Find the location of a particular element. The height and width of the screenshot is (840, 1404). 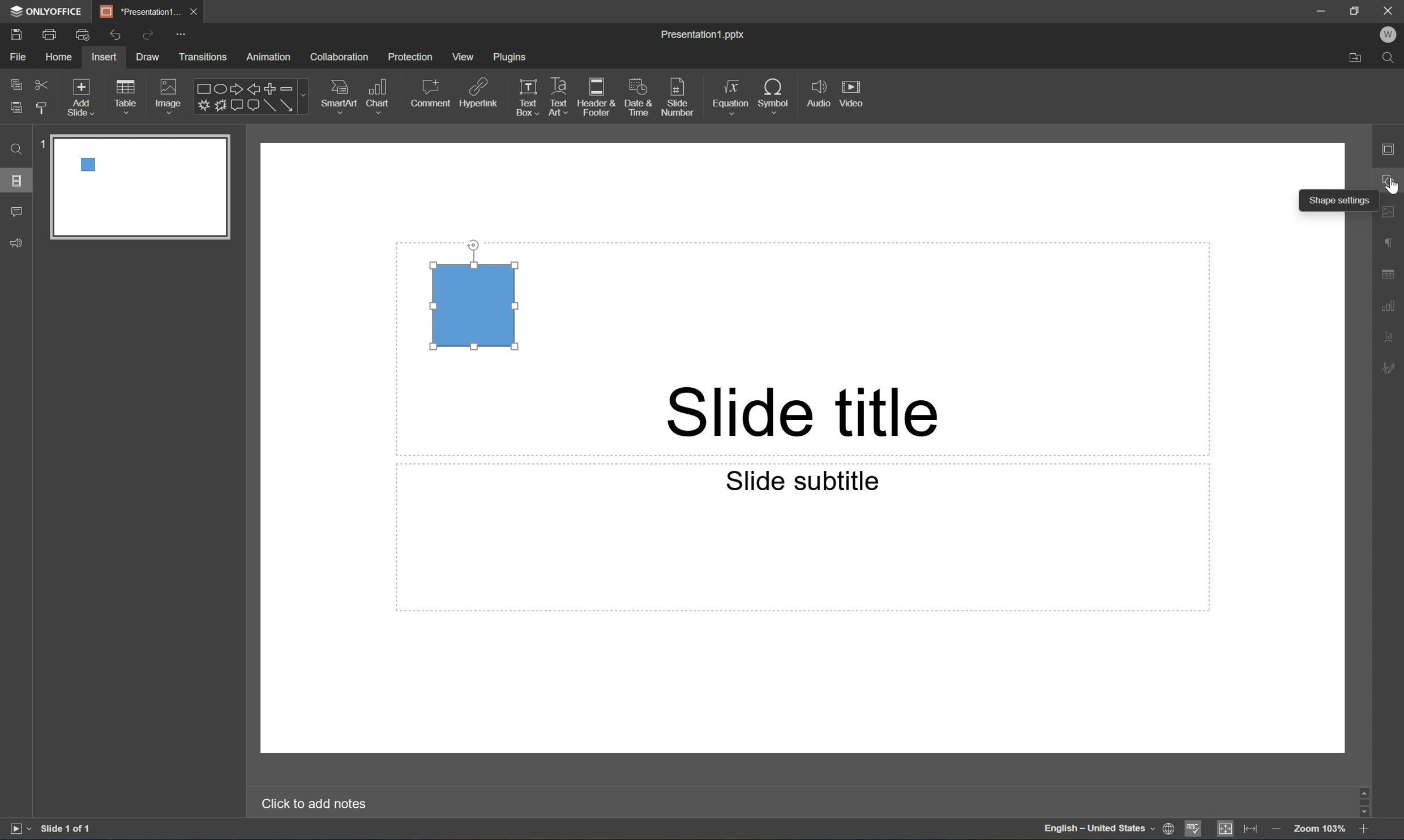

Feedback & Support is located at coordinates (18, 243).